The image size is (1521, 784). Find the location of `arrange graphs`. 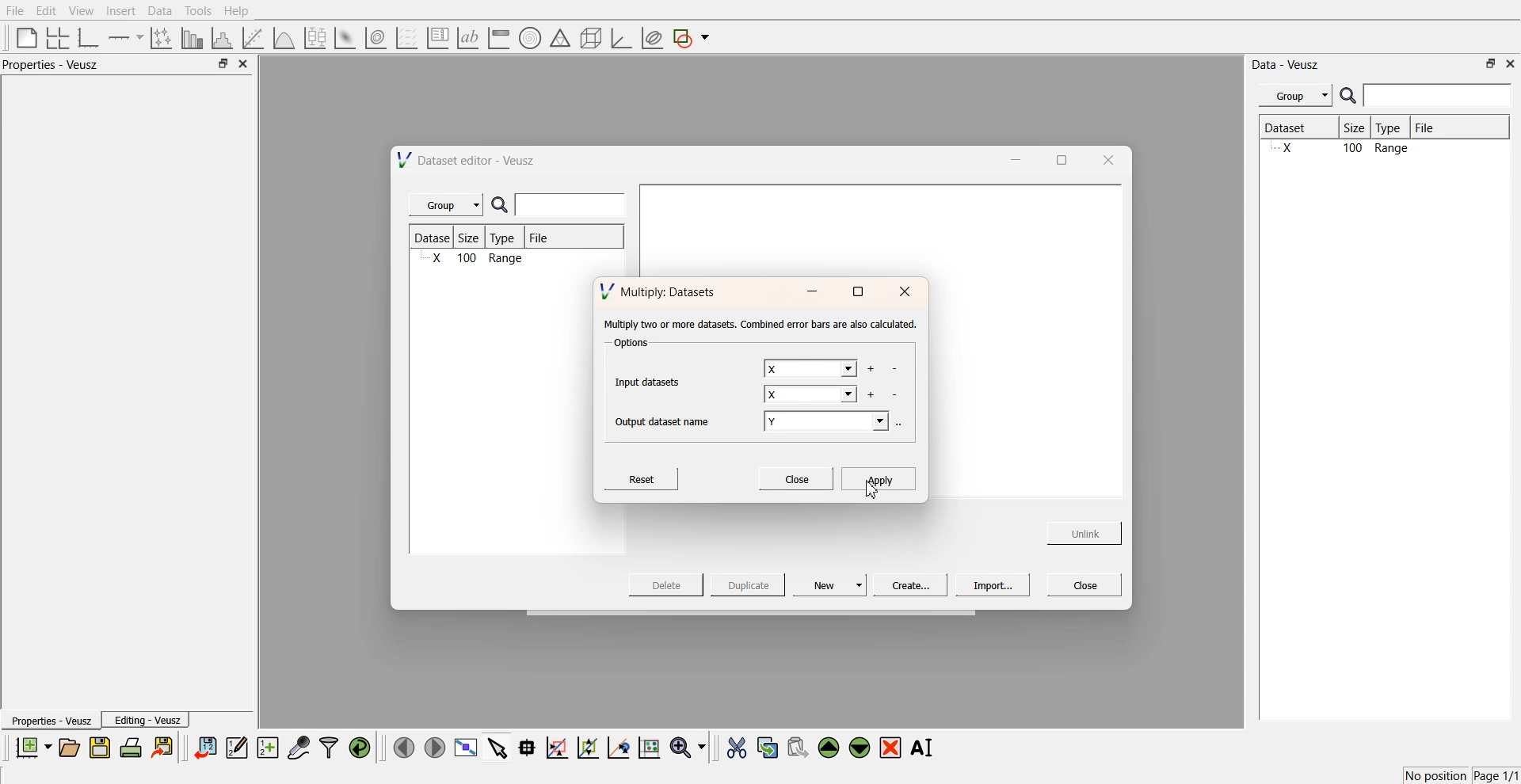

arrange graphs is located at coordinates (55, 37).